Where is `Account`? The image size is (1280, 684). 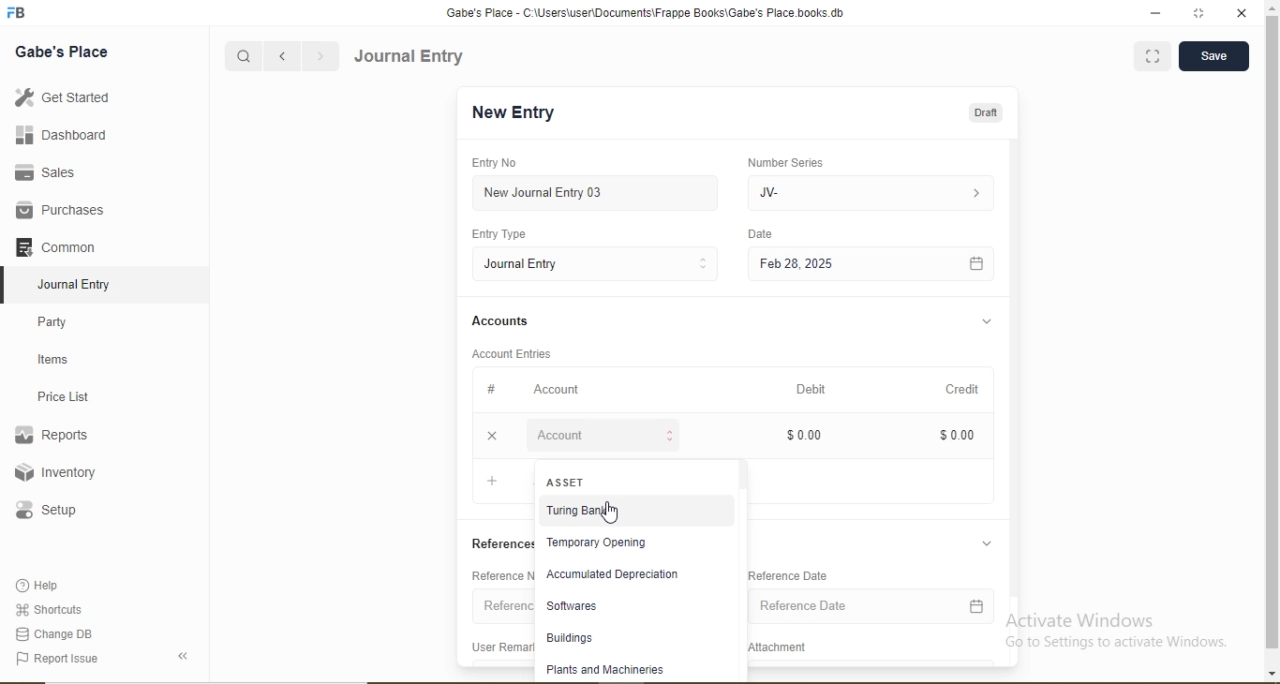
Account is located at coordinates (559, 435).